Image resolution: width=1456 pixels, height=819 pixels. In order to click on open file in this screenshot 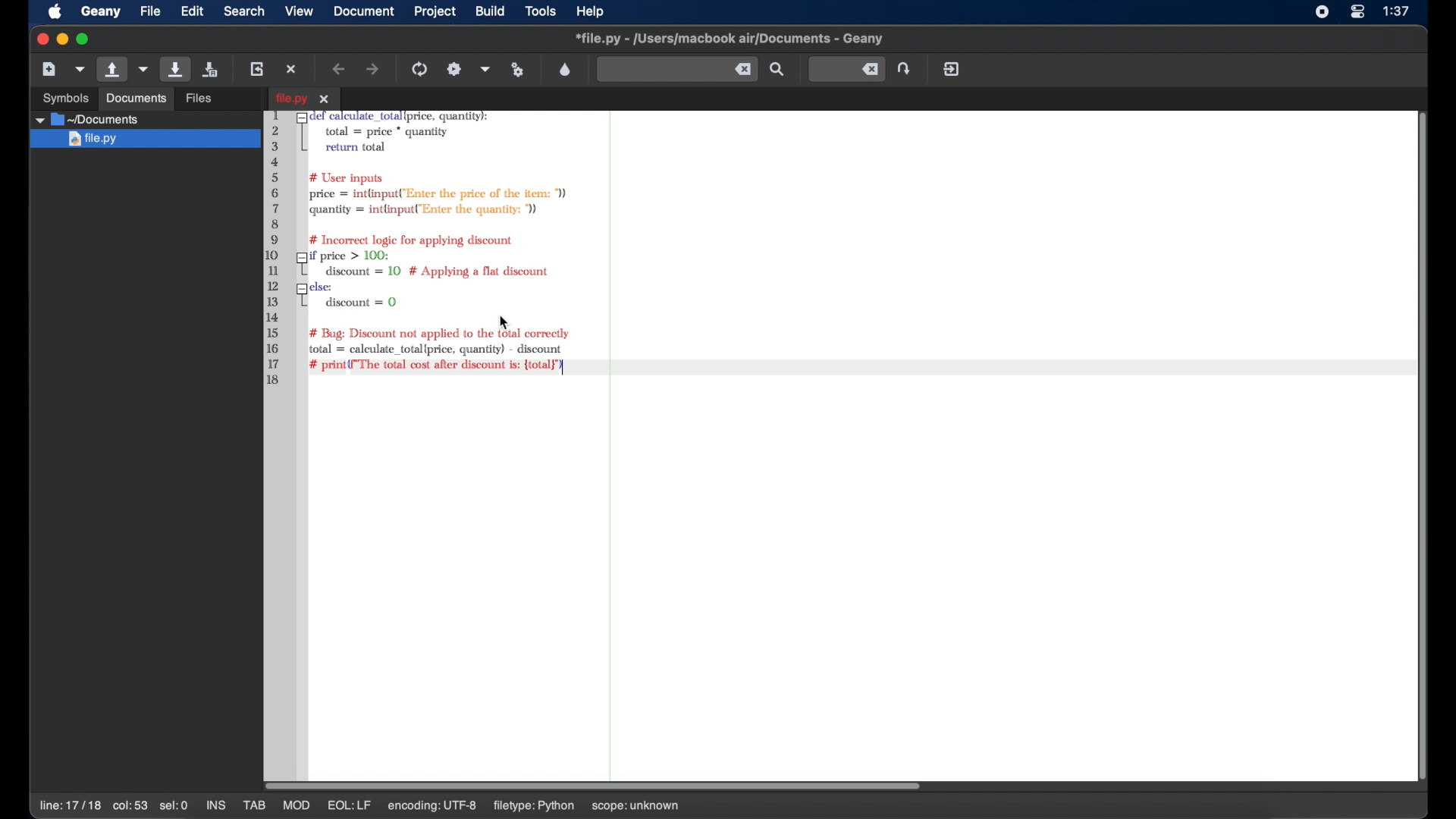, I will do `click(111, 70)`.